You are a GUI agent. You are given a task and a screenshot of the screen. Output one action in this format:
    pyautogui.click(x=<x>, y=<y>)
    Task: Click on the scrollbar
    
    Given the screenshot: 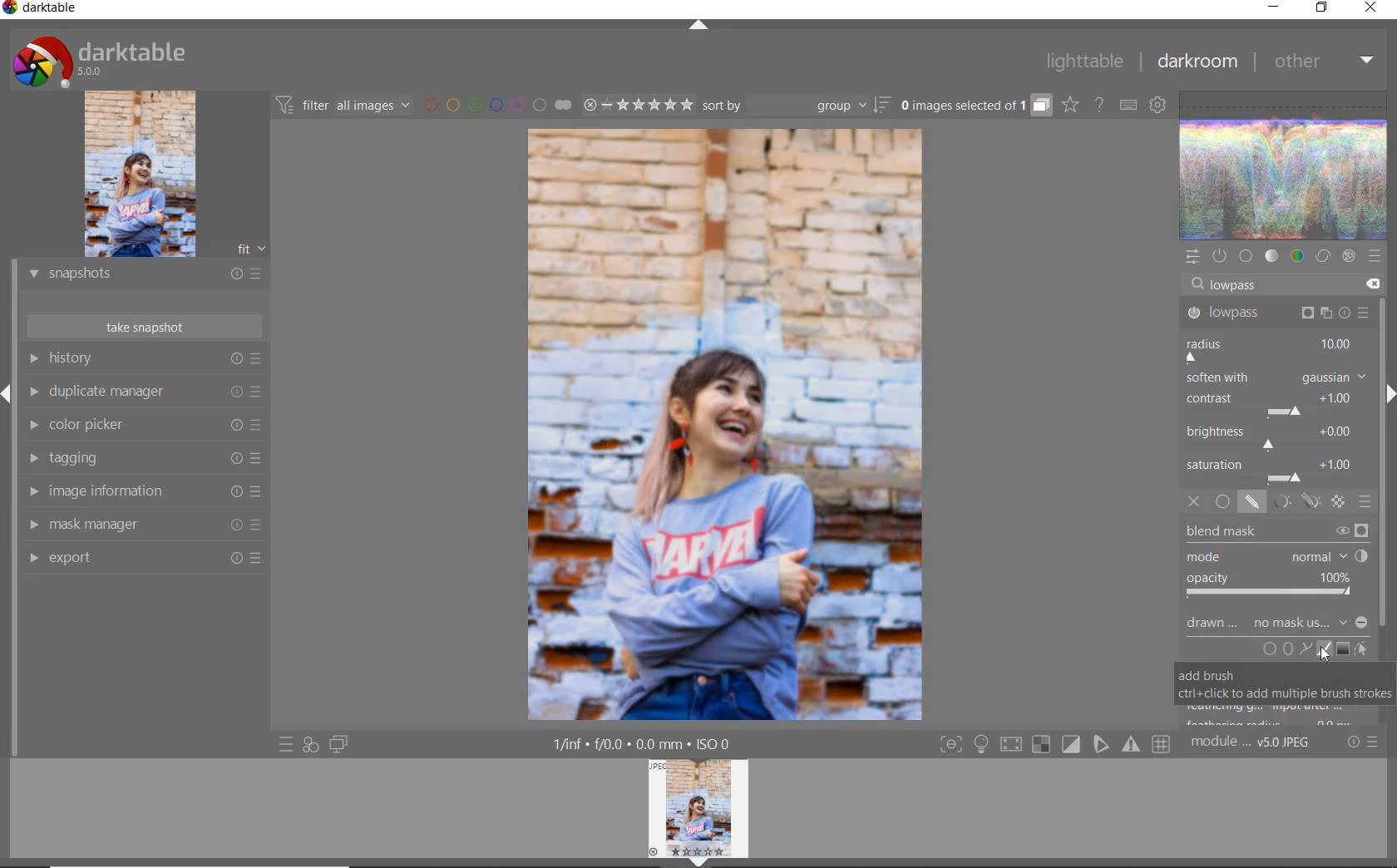 What is the action you would take?
    pyautogui.click(x=1383, y=447)
    